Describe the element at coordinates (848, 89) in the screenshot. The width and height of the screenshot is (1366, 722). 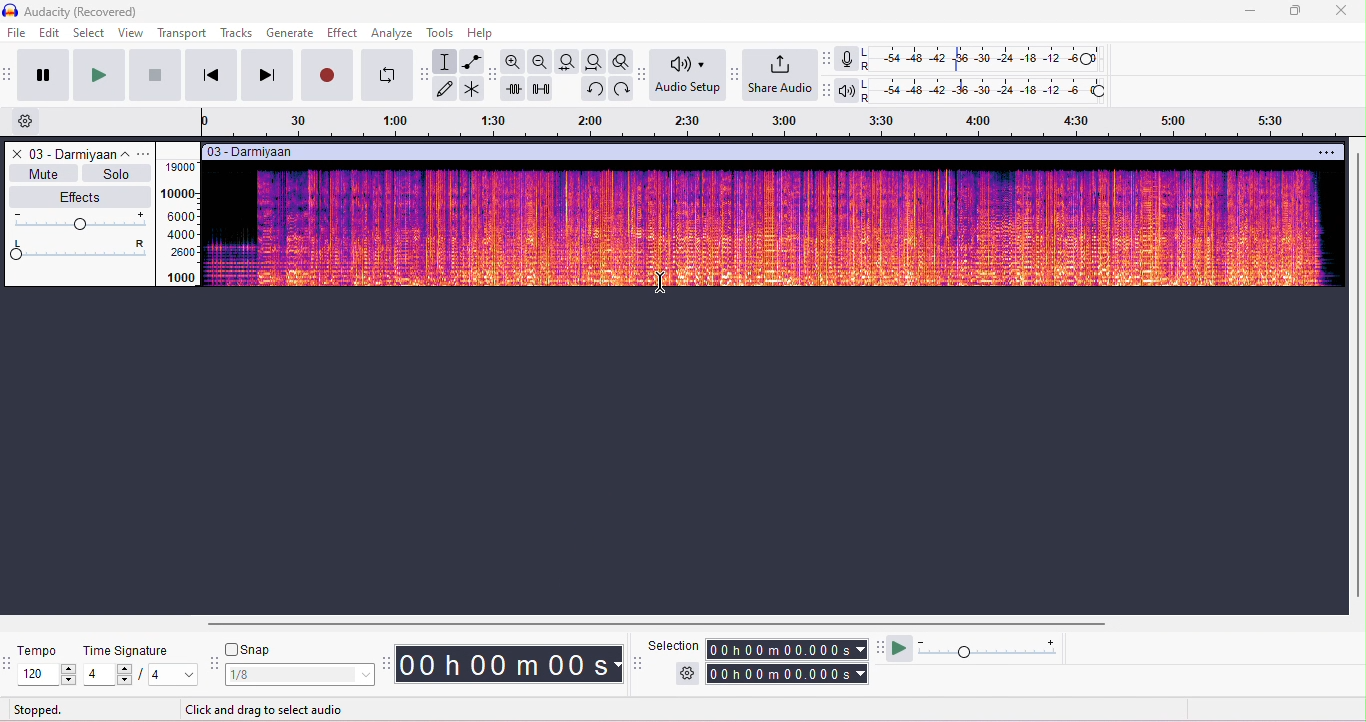
I see `playback meter` at that location.